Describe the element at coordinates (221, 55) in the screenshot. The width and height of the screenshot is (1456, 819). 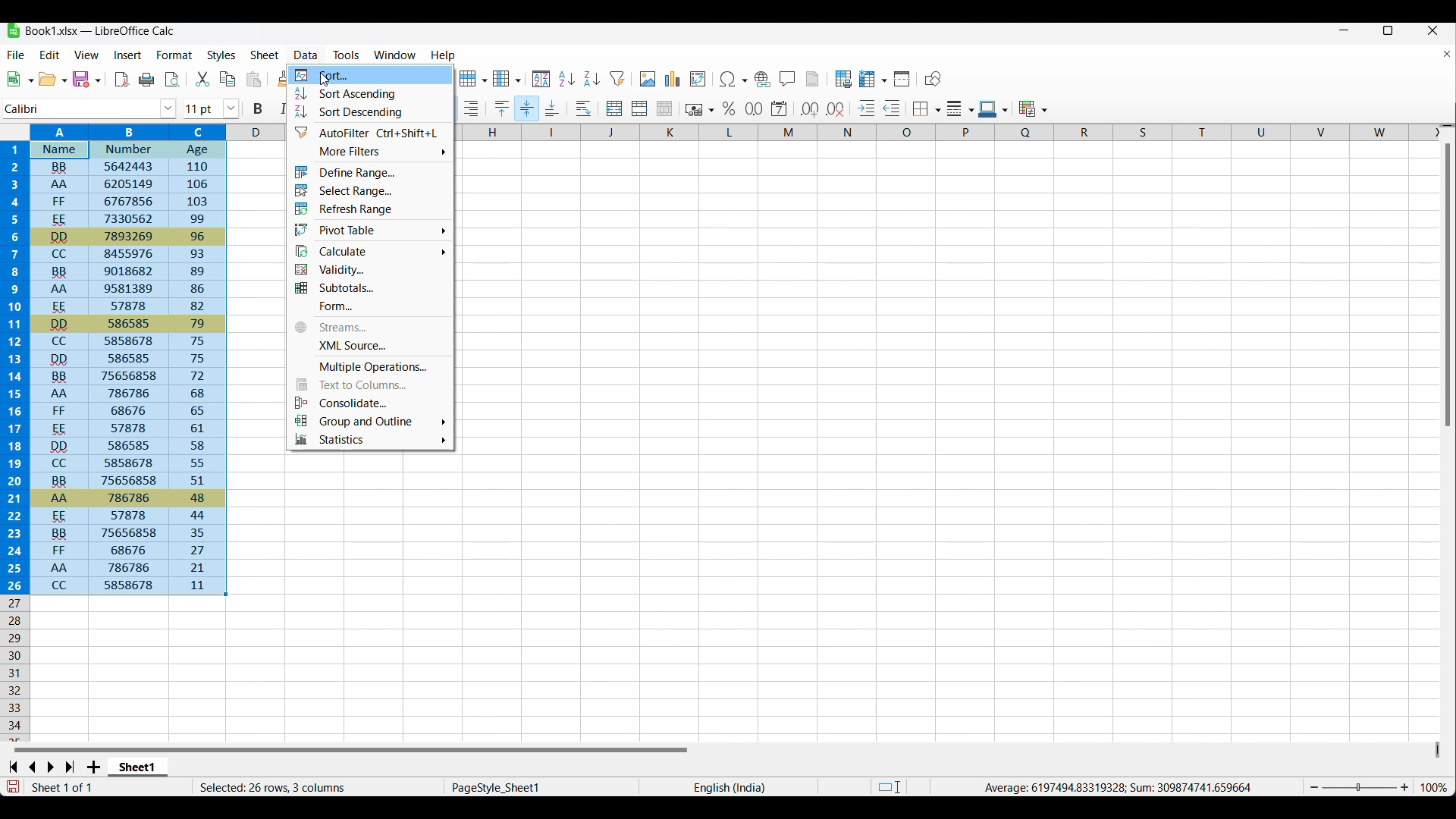
I see `Styles menu` at that location.